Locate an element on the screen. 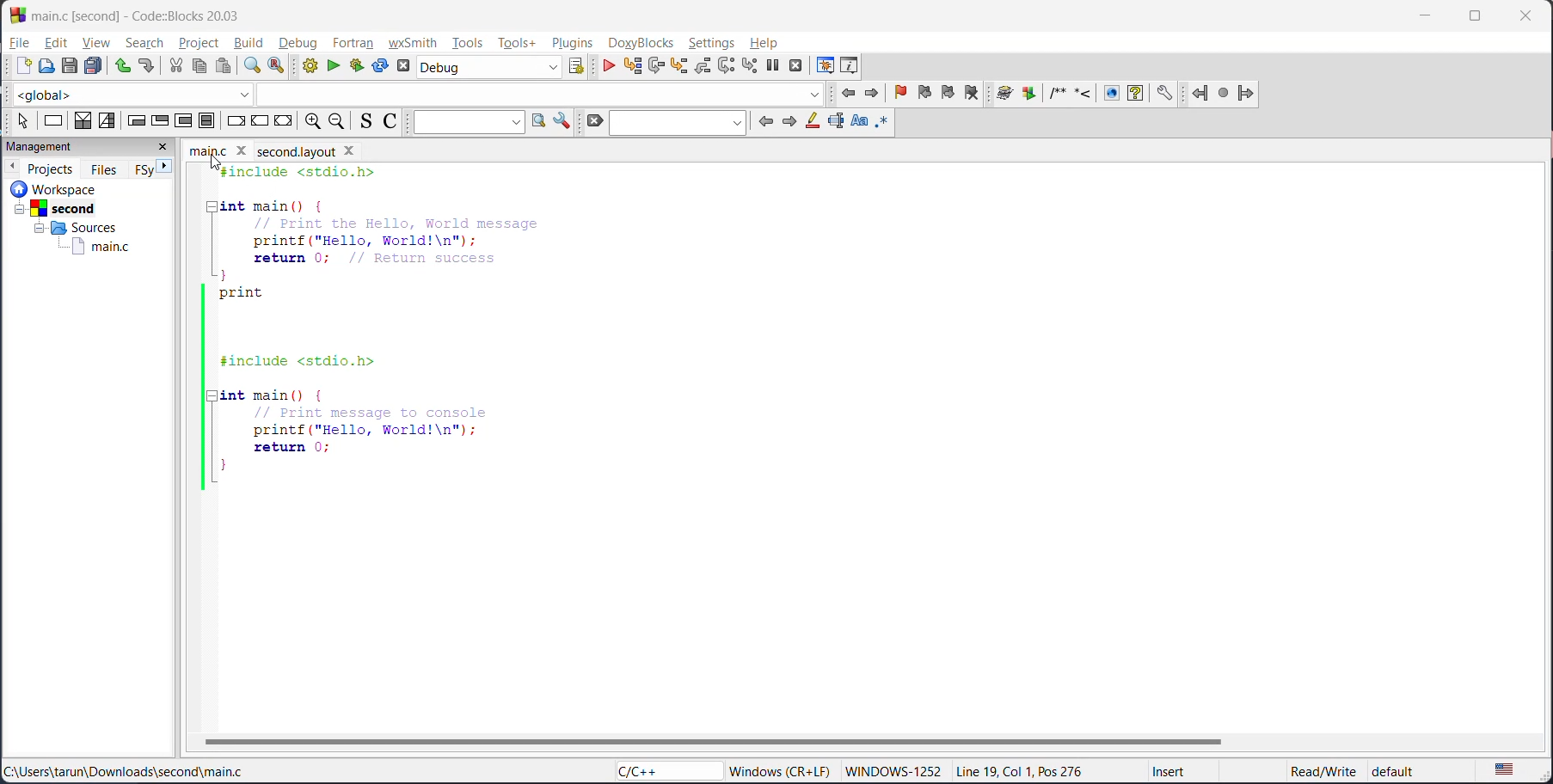 The height and width of the screenshot is (784, 1553). break debugger is located at coordinates (771, 63).